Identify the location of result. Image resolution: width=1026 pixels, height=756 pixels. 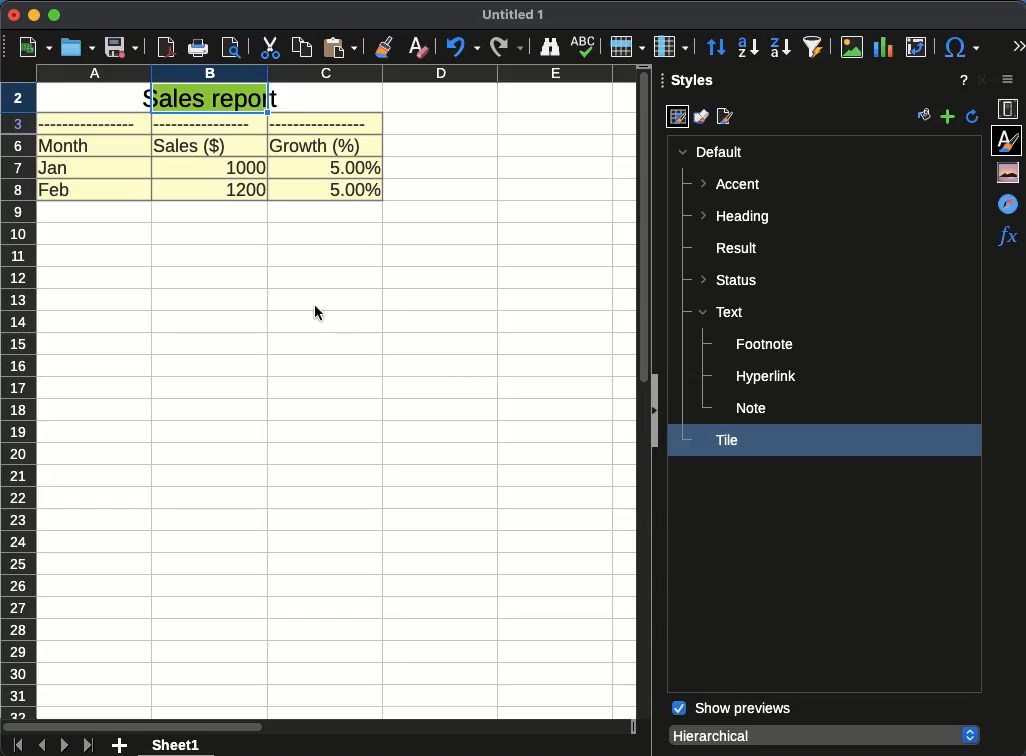
(730, 248).